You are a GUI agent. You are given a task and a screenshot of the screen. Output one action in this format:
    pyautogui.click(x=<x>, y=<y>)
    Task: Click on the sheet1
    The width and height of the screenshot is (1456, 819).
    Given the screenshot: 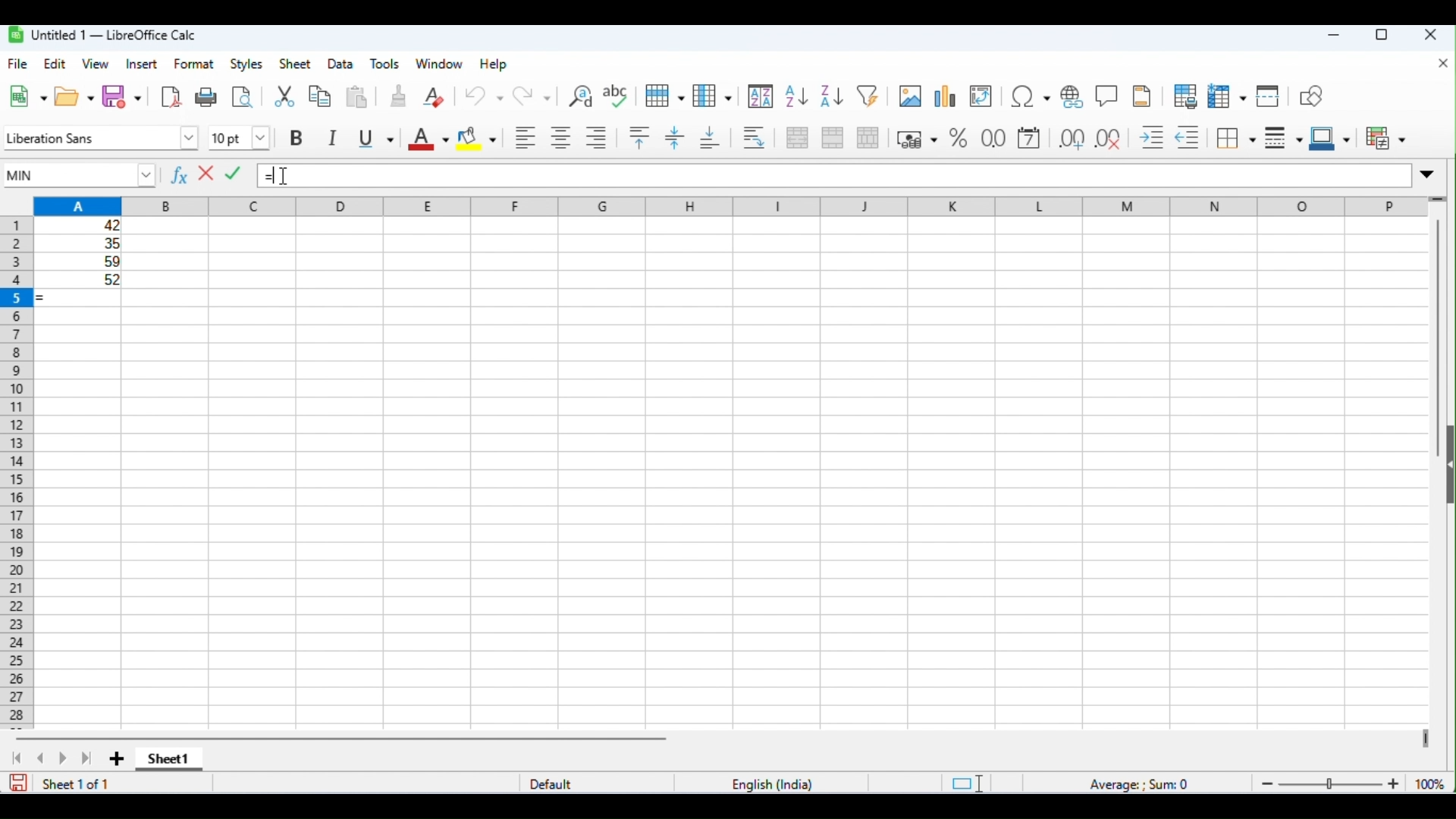 What is the action you would take?
    pyautogui.click(x=169, y=761)
    